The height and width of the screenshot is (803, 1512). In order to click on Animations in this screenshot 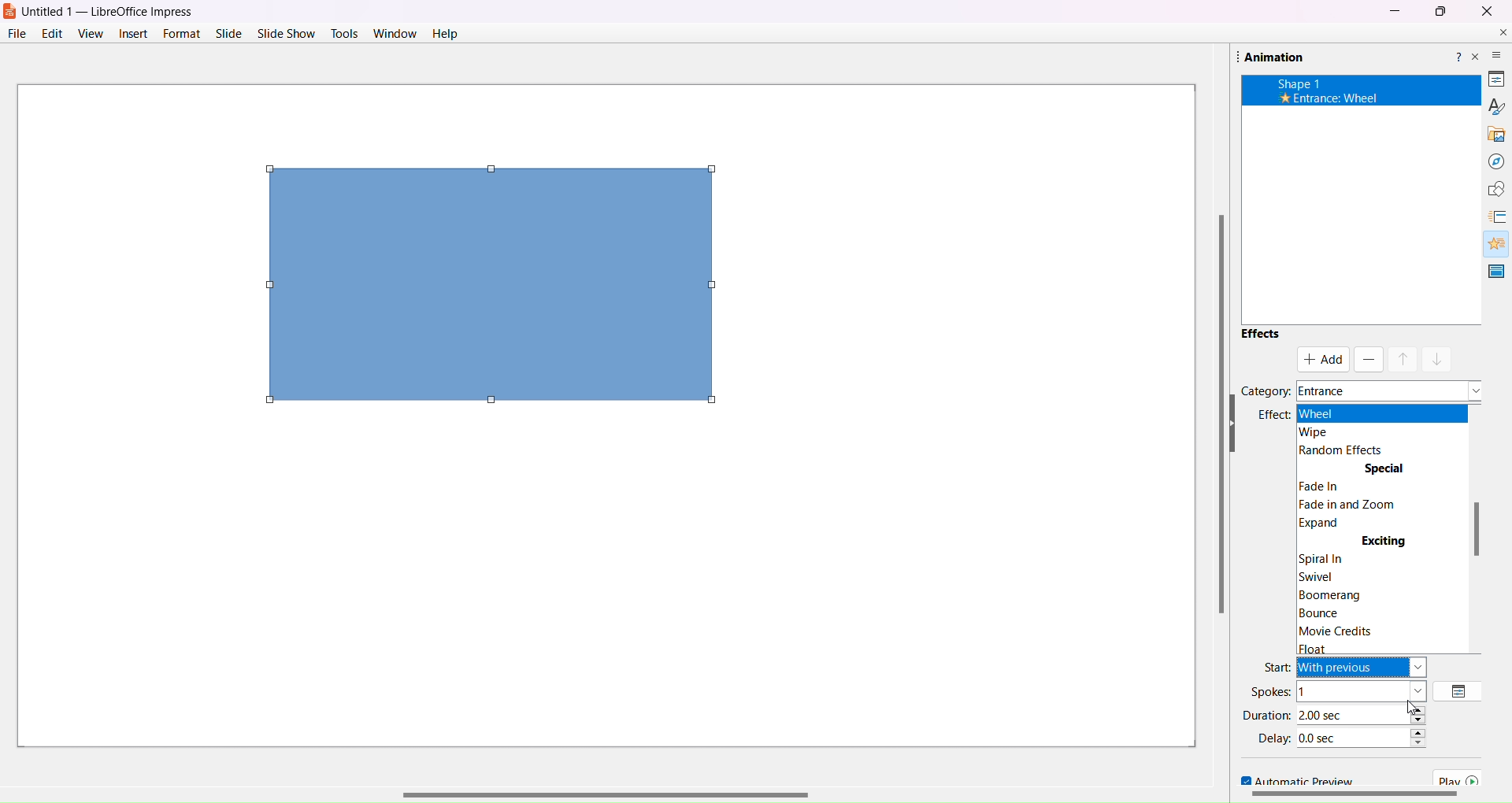, I will do `click(1491, 241)`.